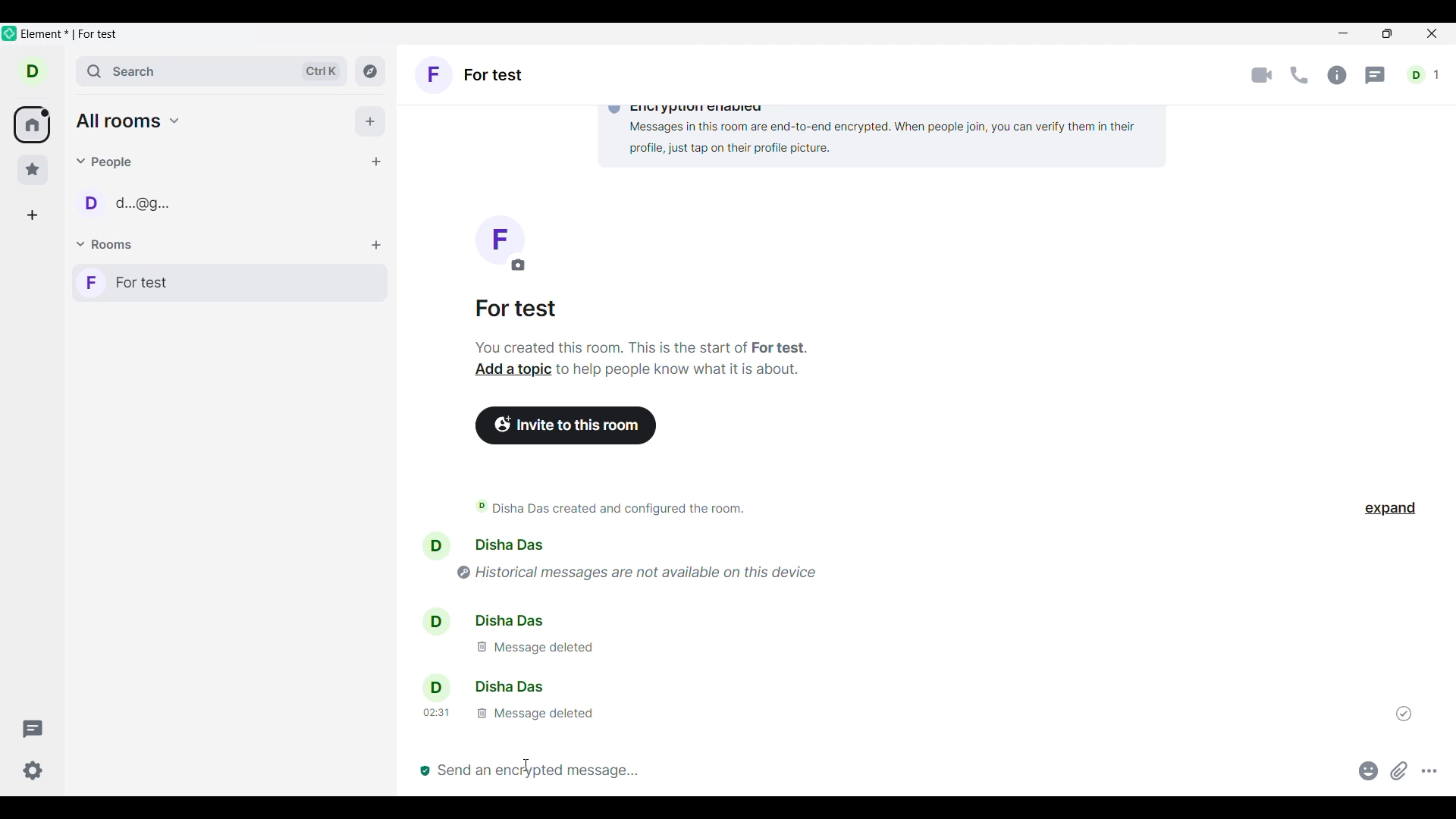 The image size is (1456, 819). I want to click on Add emoji, so click(1369, 770).